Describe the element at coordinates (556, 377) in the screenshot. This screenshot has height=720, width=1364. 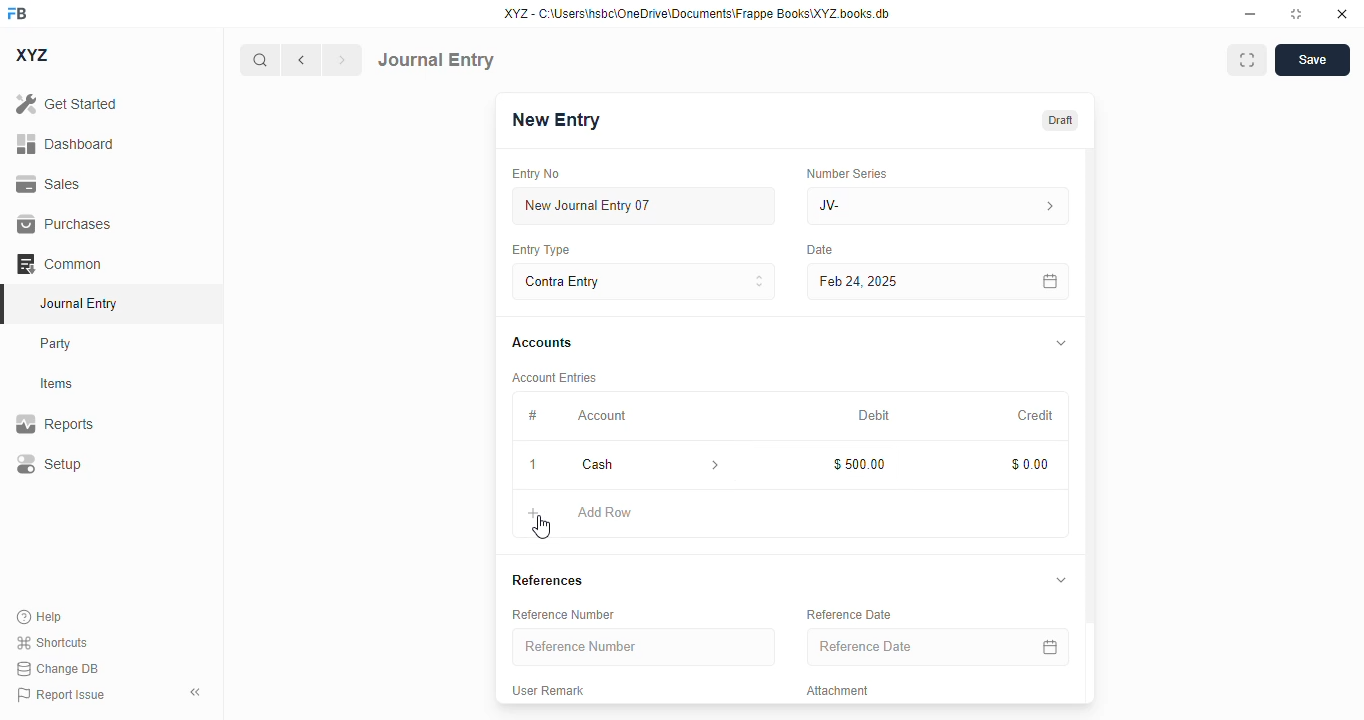
I see `account entries` at that location.